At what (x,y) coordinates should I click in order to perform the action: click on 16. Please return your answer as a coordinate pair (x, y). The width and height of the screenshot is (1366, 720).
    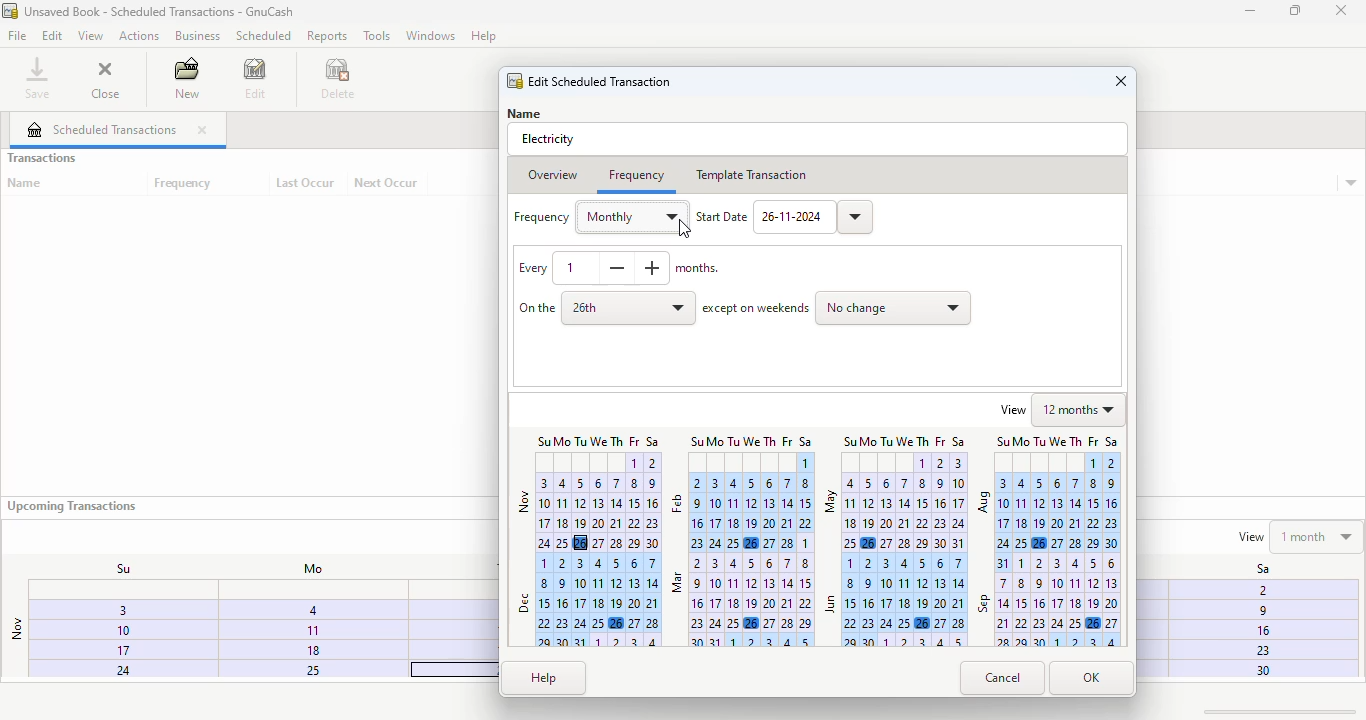
    Looking at the image, I should click on (1261, 631).